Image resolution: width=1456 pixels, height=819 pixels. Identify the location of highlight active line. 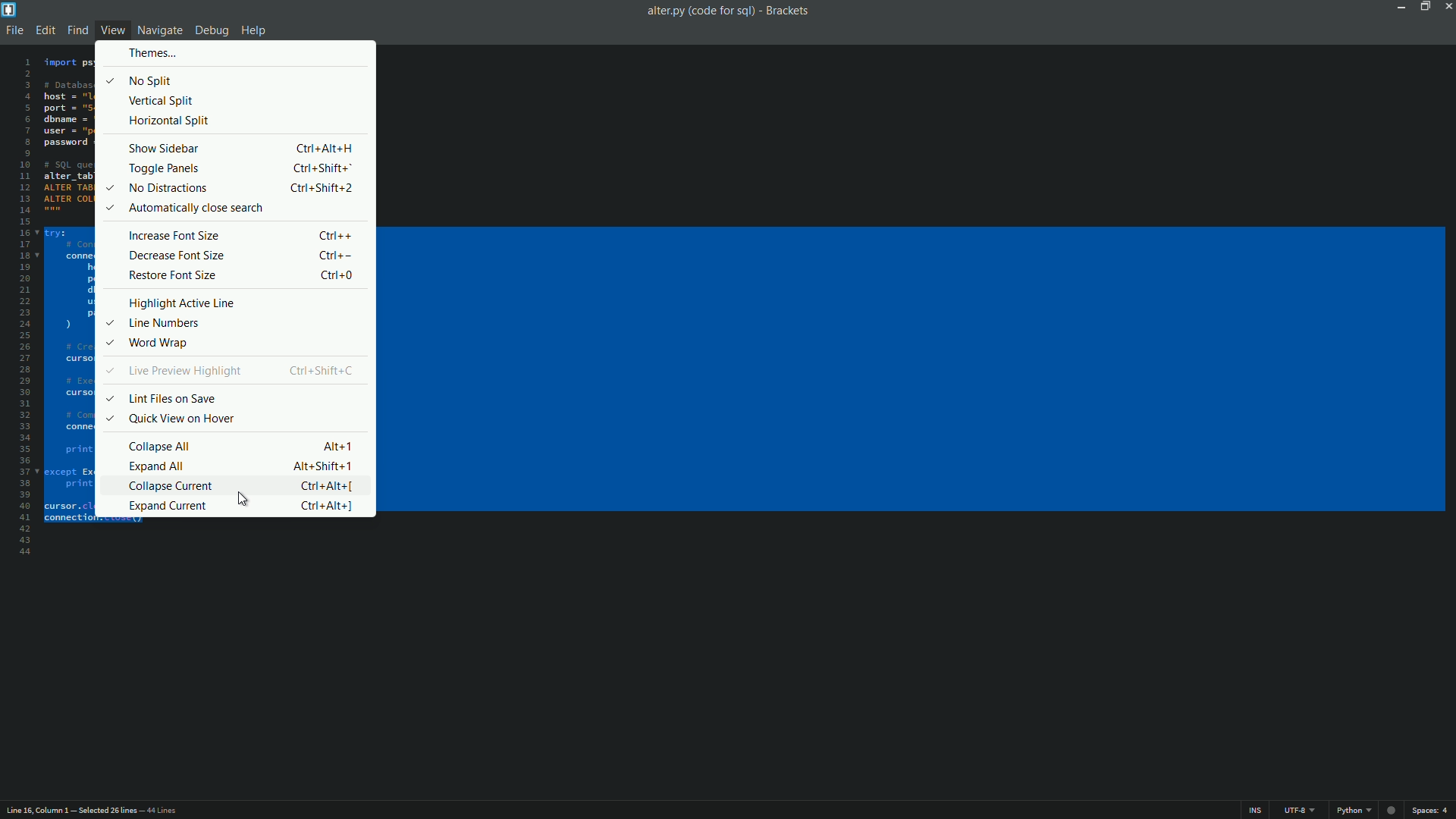
(183, 303).